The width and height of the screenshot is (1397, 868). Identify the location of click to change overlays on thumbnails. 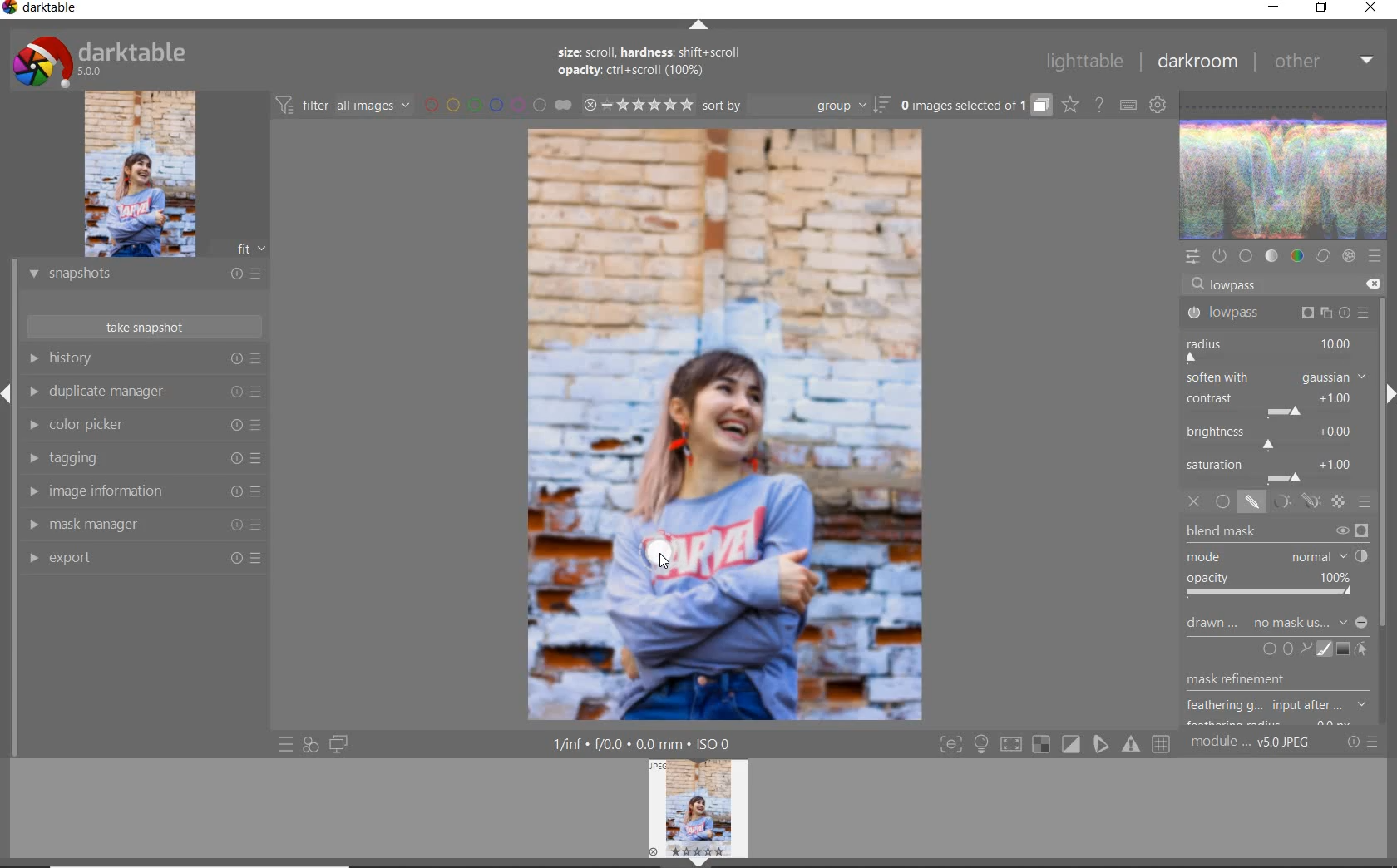
(1069, 104).